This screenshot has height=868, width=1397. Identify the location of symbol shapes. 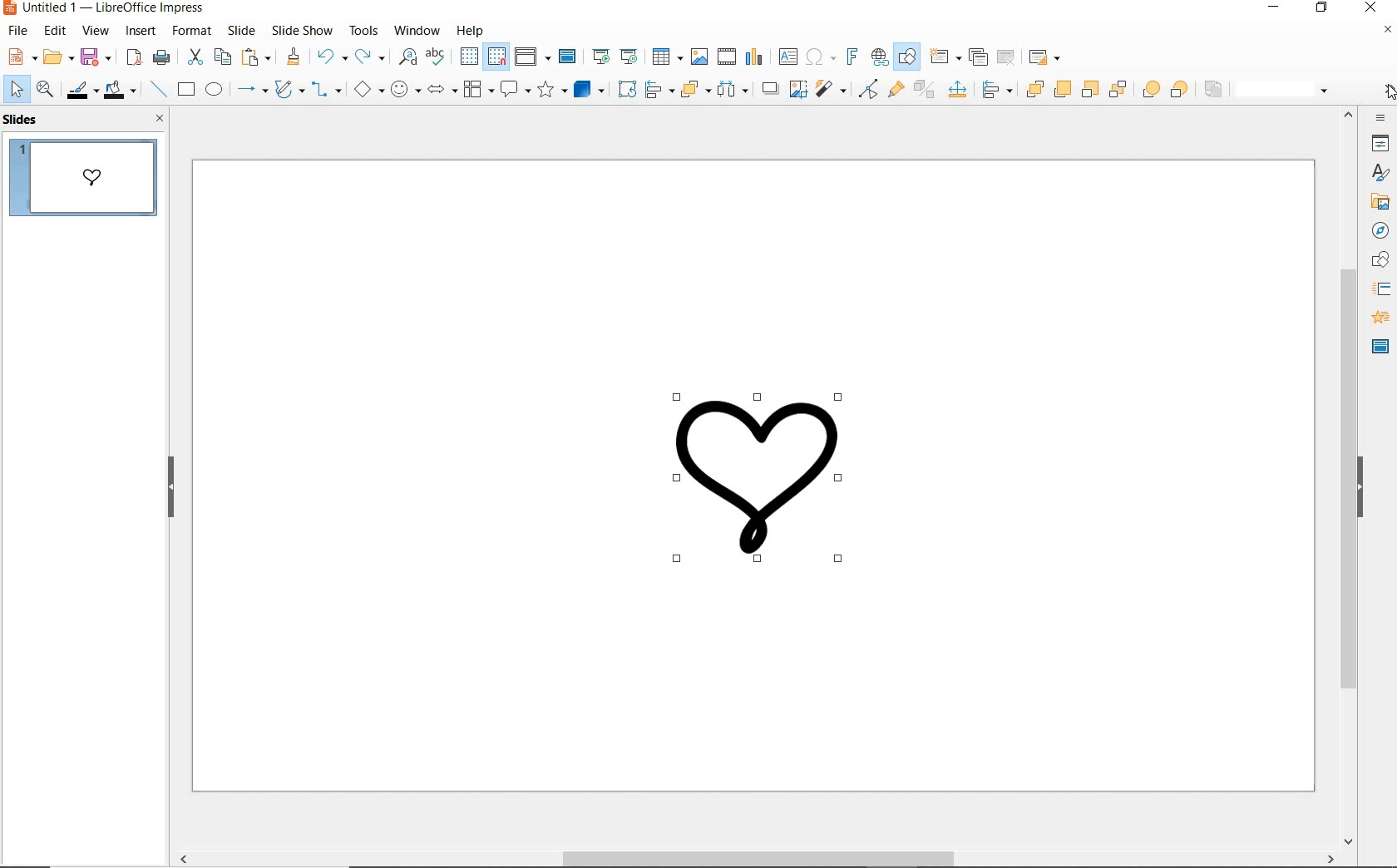
(406, 91).